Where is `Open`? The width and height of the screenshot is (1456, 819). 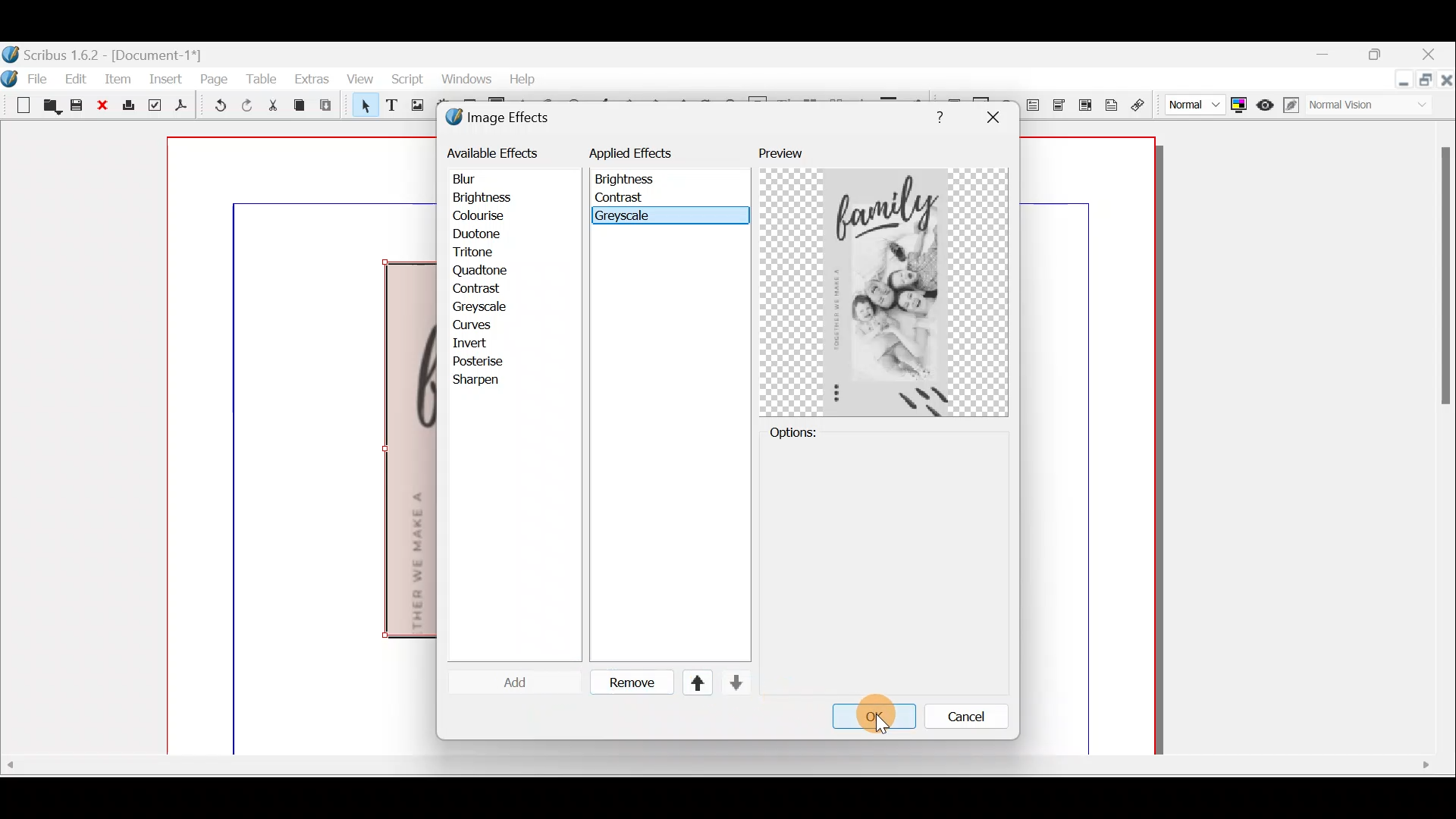
Open is located at coordinates (48, 106).